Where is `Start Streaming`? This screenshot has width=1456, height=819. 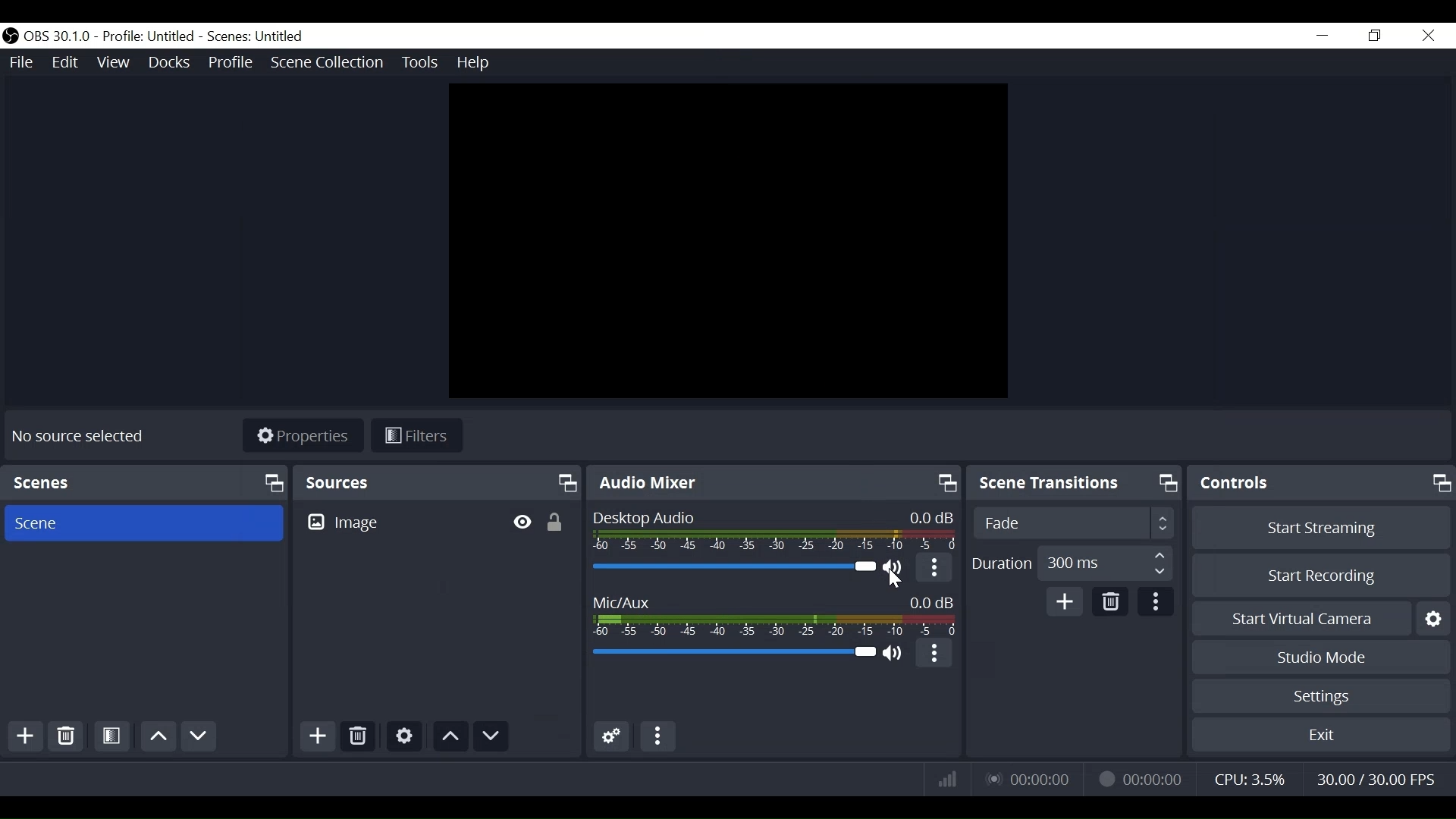 Start Streaming is located at coordinates (1318, 529).